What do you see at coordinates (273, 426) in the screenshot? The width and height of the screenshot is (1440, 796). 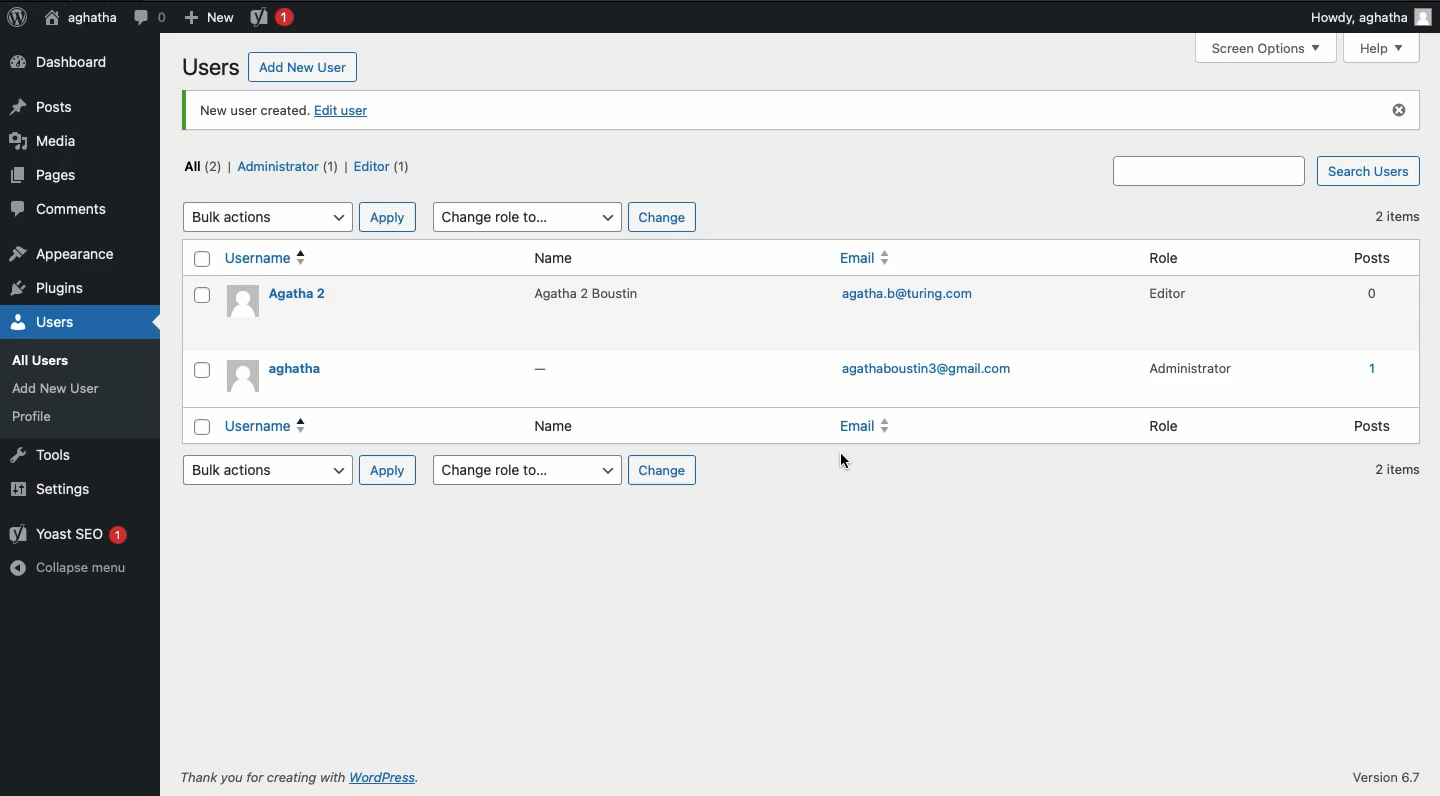 I see `Username` at bounding box center [273, 426].